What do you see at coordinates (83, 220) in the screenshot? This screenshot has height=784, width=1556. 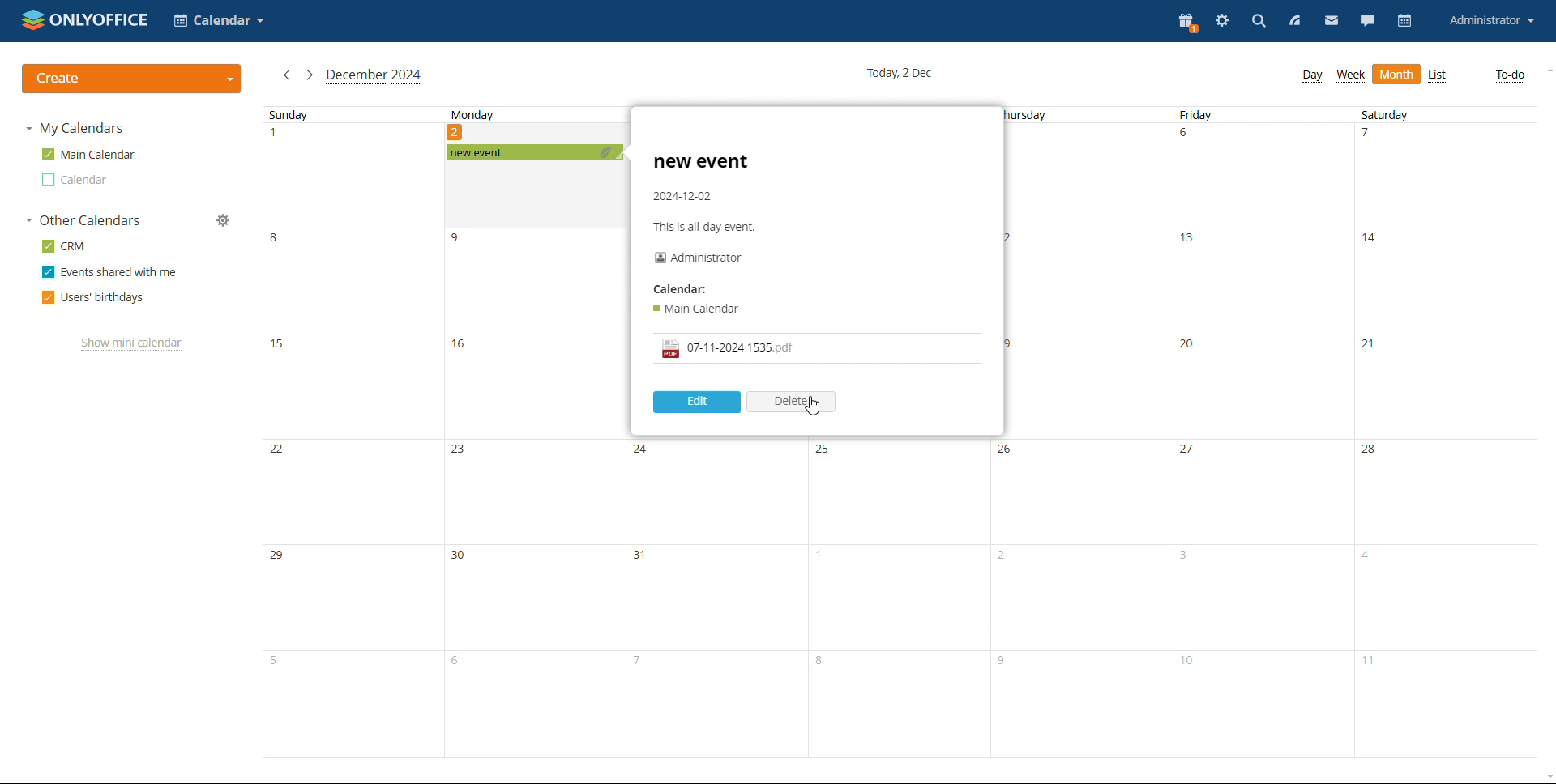 I see `other calendars` at bounding box center [83, 220].